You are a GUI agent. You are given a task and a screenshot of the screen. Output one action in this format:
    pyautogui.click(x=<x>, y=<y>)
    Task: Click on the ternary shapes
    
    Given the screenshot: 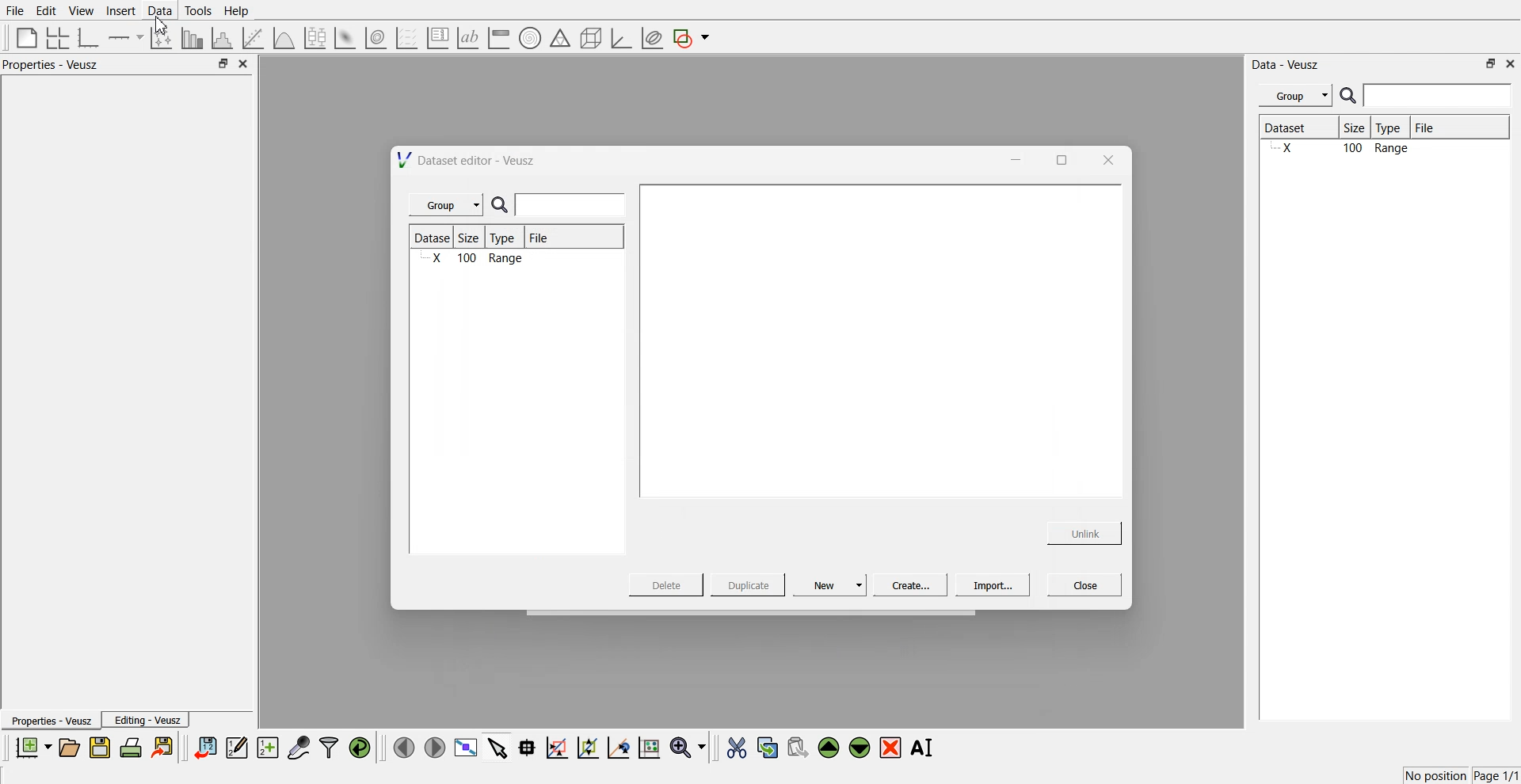 What is the action you would take?
    pyautogui.click(x=558, y=40)
    